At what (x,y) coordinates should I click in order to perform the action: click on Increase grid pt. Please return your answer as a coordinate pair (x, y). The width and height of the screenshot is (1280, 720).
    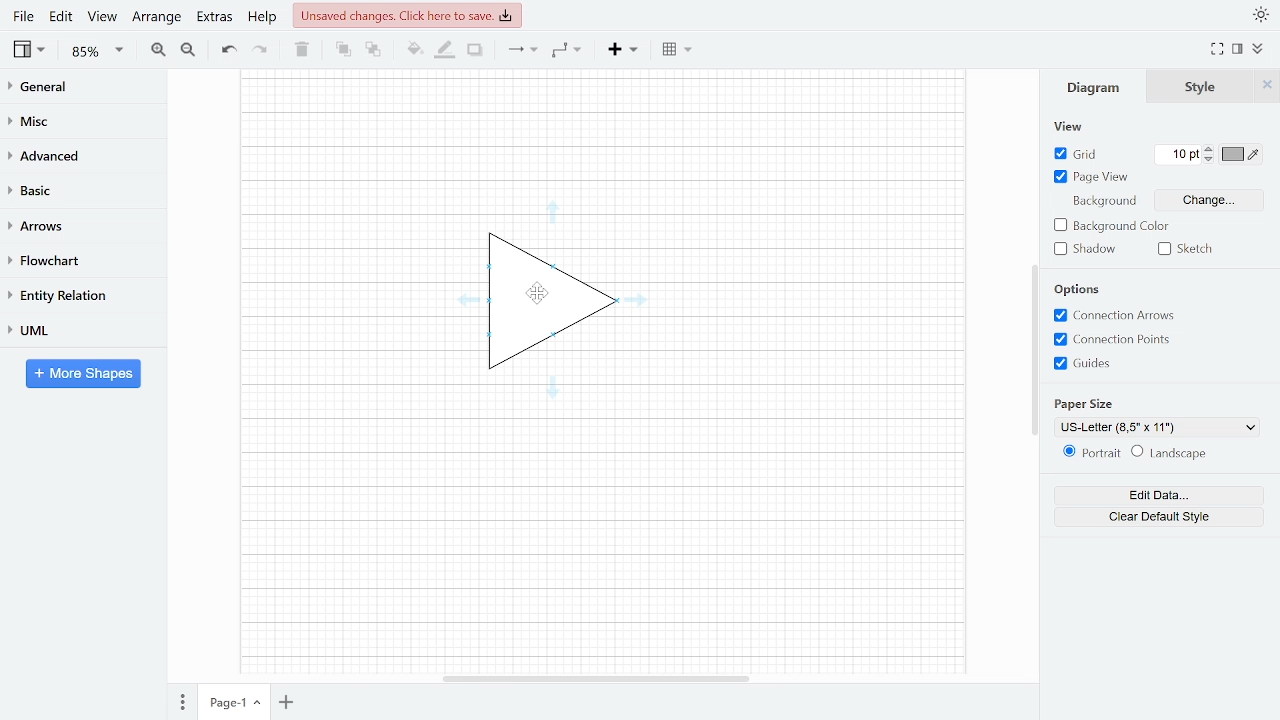
    Looking at the image, I should click on (1211, 149).